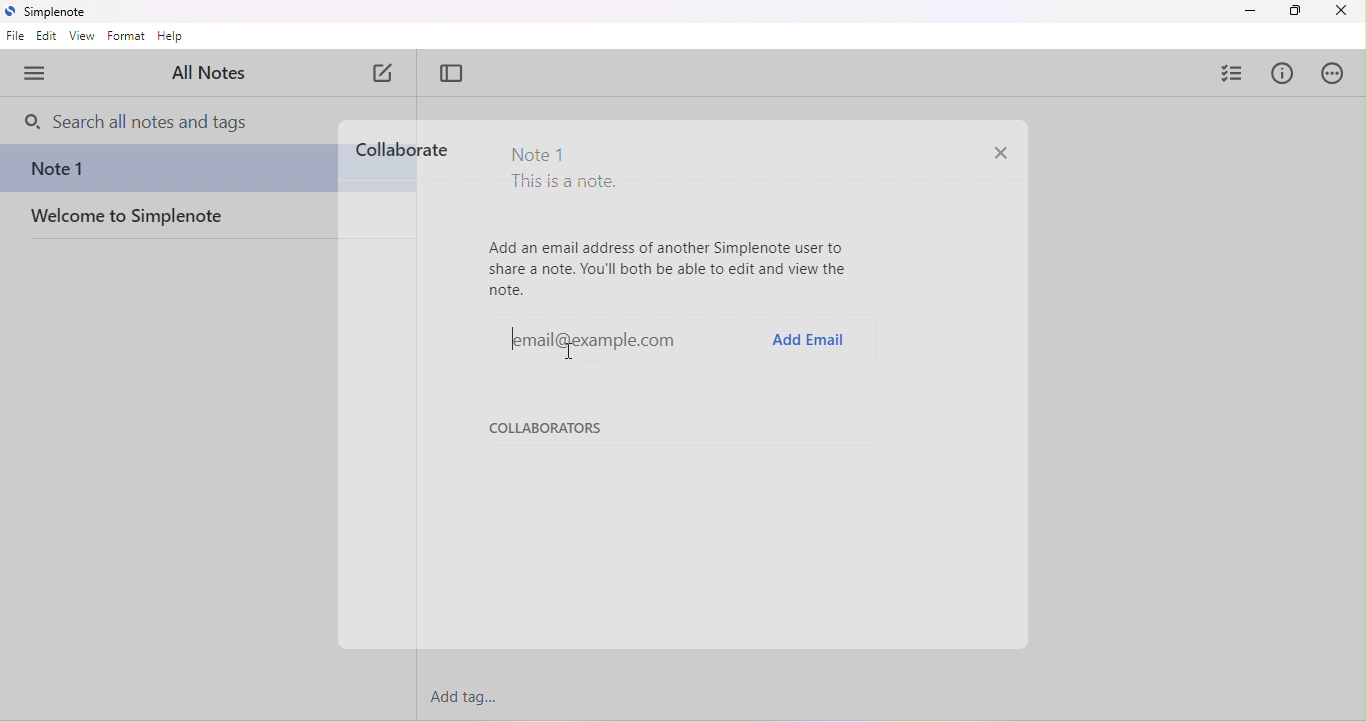  Describe the element at coordinates (808, 339) in the screenshot. I see `add email` at that location.